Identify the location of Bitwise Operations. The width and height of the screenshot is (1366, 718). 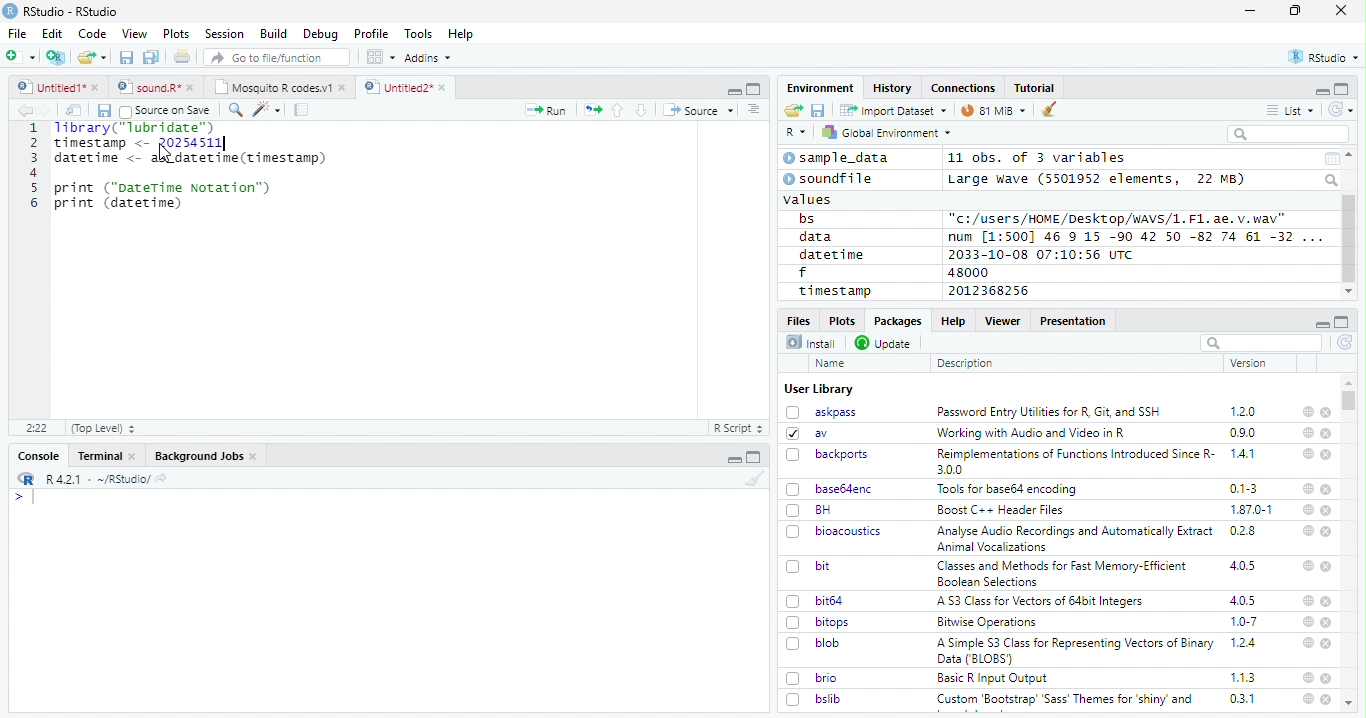
(989, 622).